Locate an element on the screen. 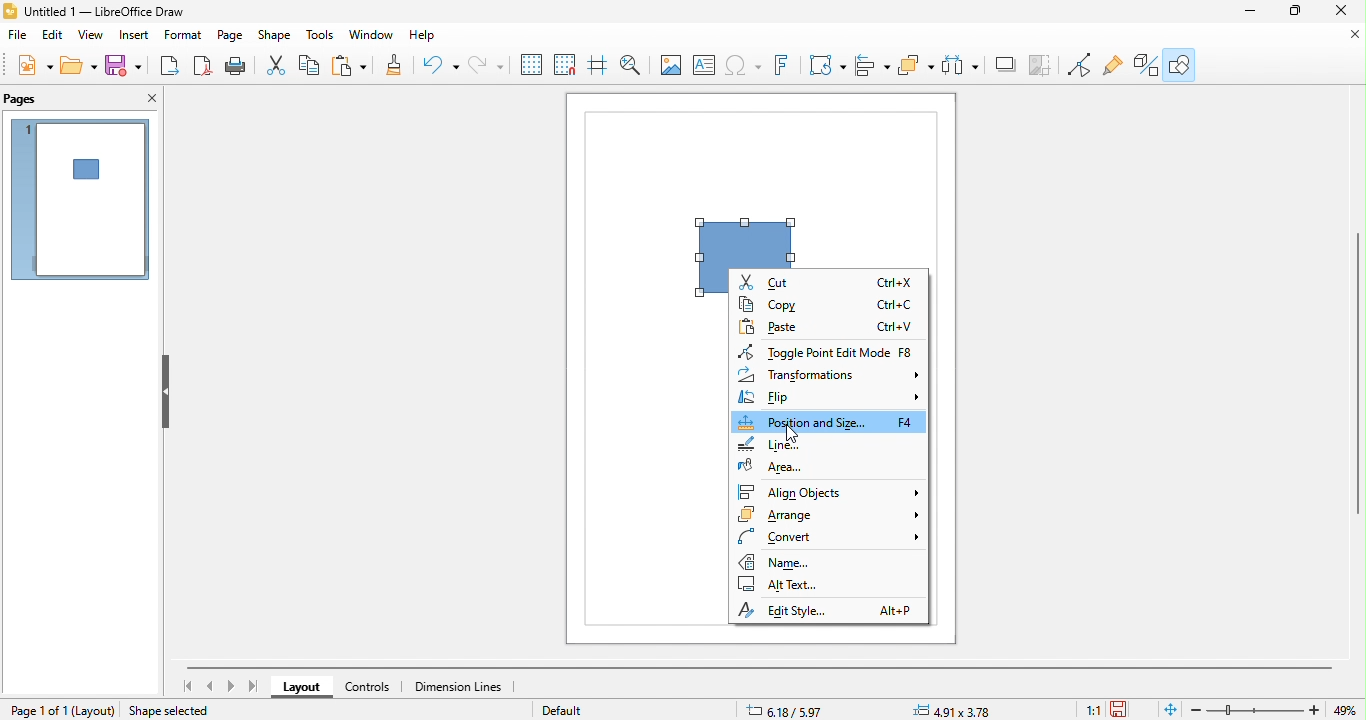 This screenshot has height=720, width=1366. last page is located at coordinates (255, 687).